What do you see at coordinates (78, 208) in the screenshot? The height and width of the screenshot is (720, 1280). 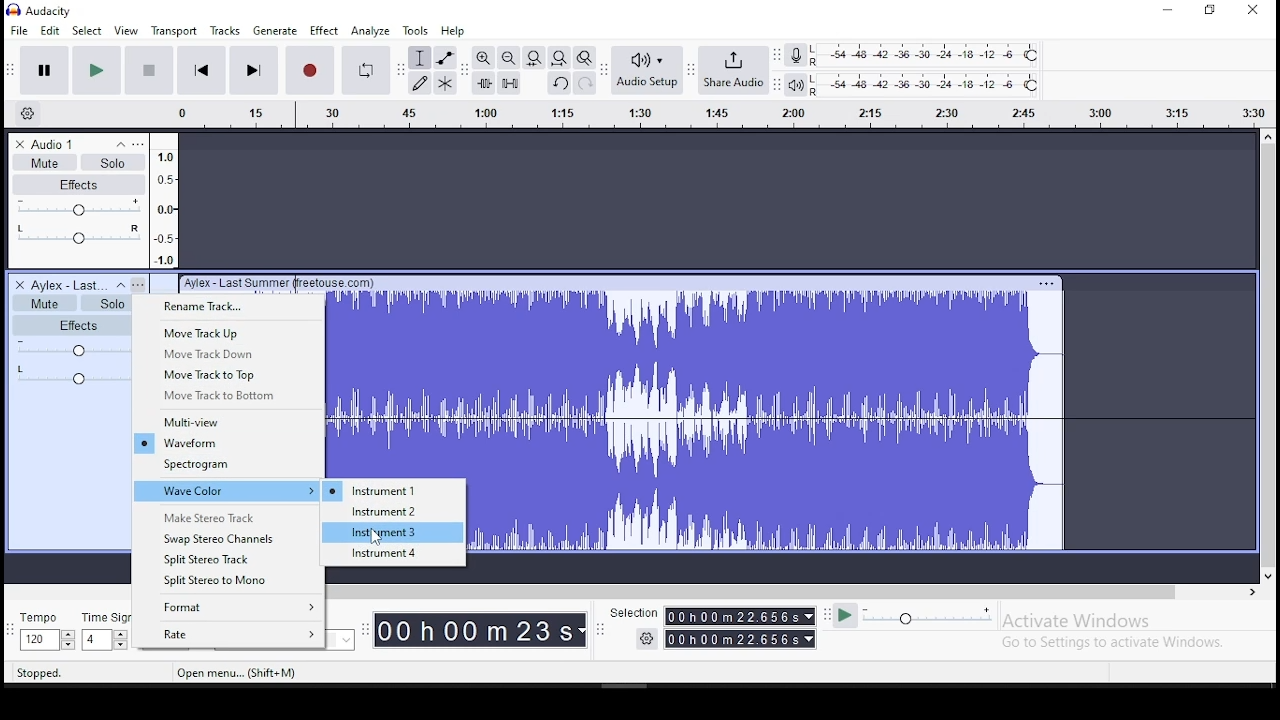 I see `volume` at bounding box center [78, 208].